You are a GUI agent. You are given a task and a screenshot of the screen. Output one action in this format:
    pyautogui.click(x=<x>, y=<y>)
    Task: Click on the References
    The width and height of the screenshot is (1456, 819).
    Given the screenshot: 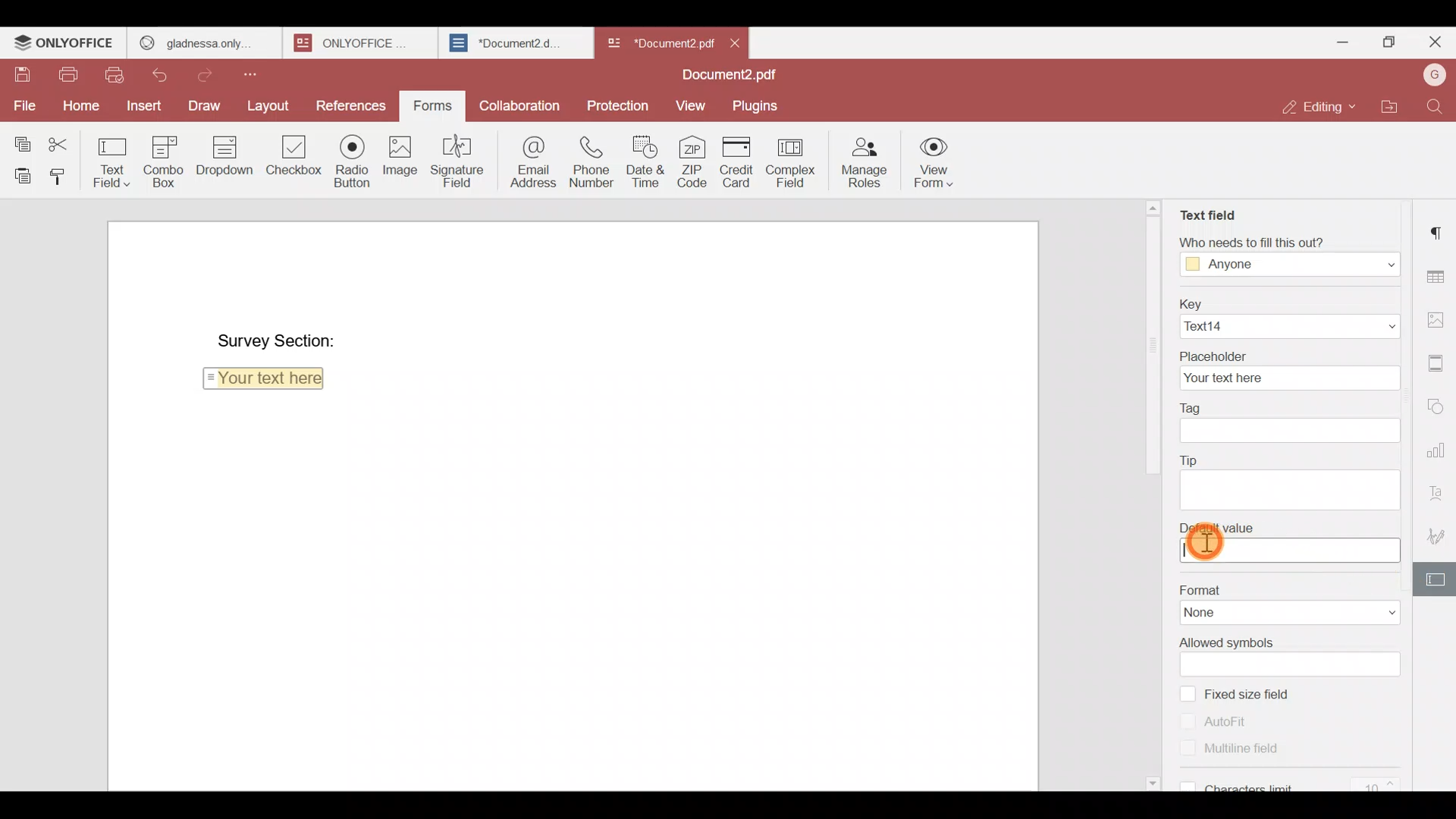 What is the action you would take?
    pyautogui.click(x=350, y=102)
    